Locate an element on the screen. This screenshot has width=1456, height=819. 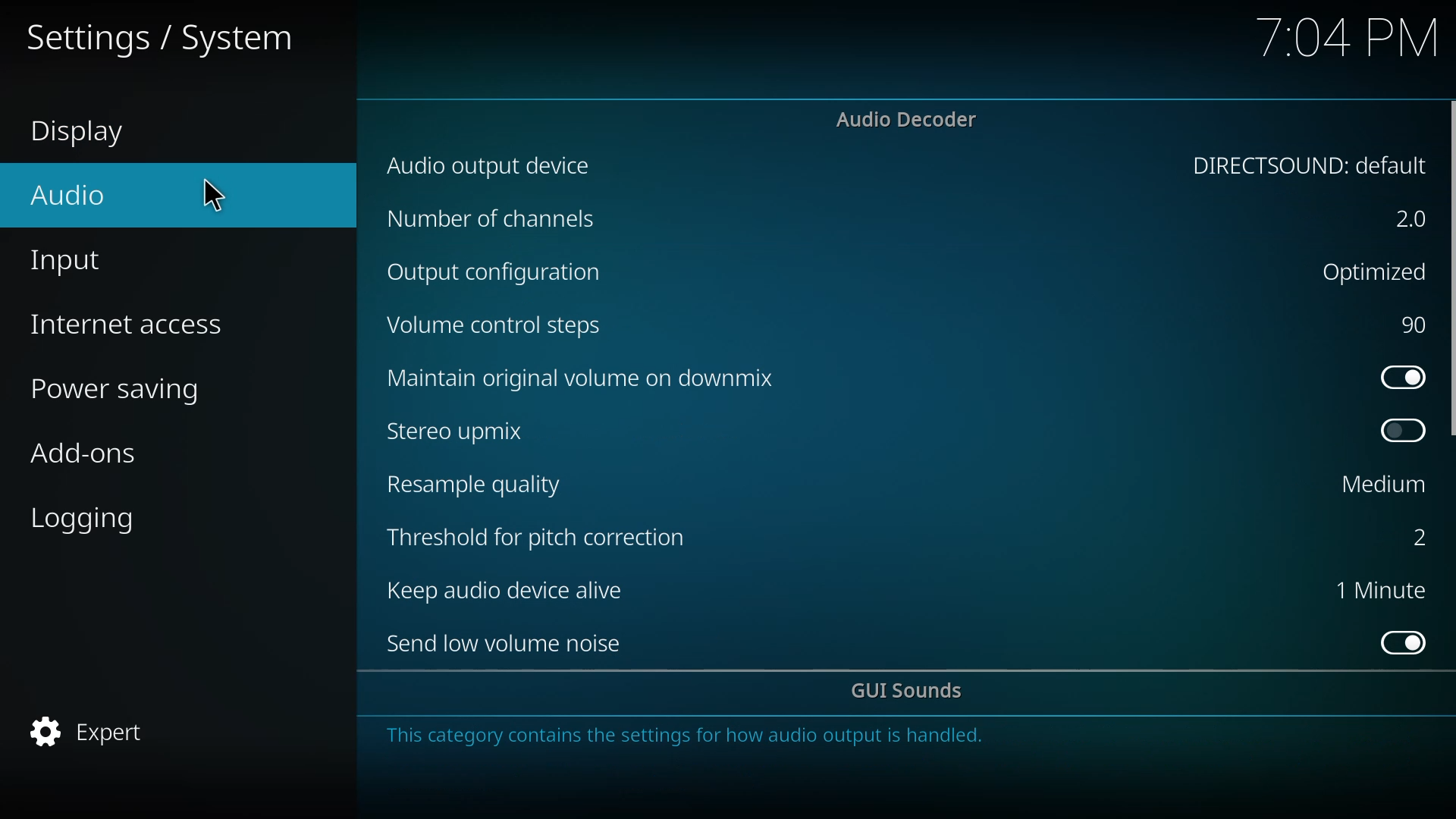
add-ons is located at coordinates (84, 457).